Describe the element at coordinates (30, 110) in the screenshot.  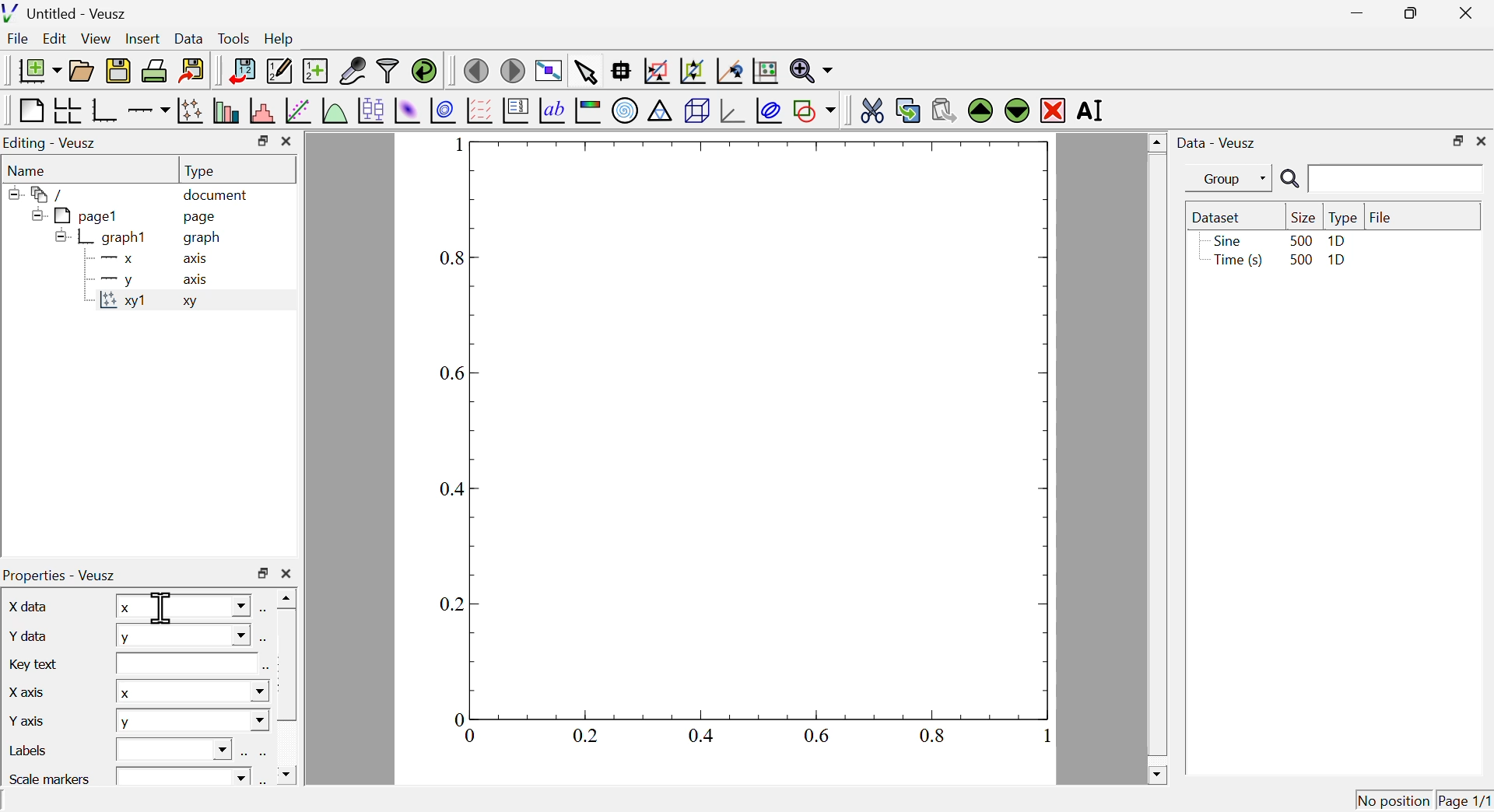
I see `blank page` at that location.